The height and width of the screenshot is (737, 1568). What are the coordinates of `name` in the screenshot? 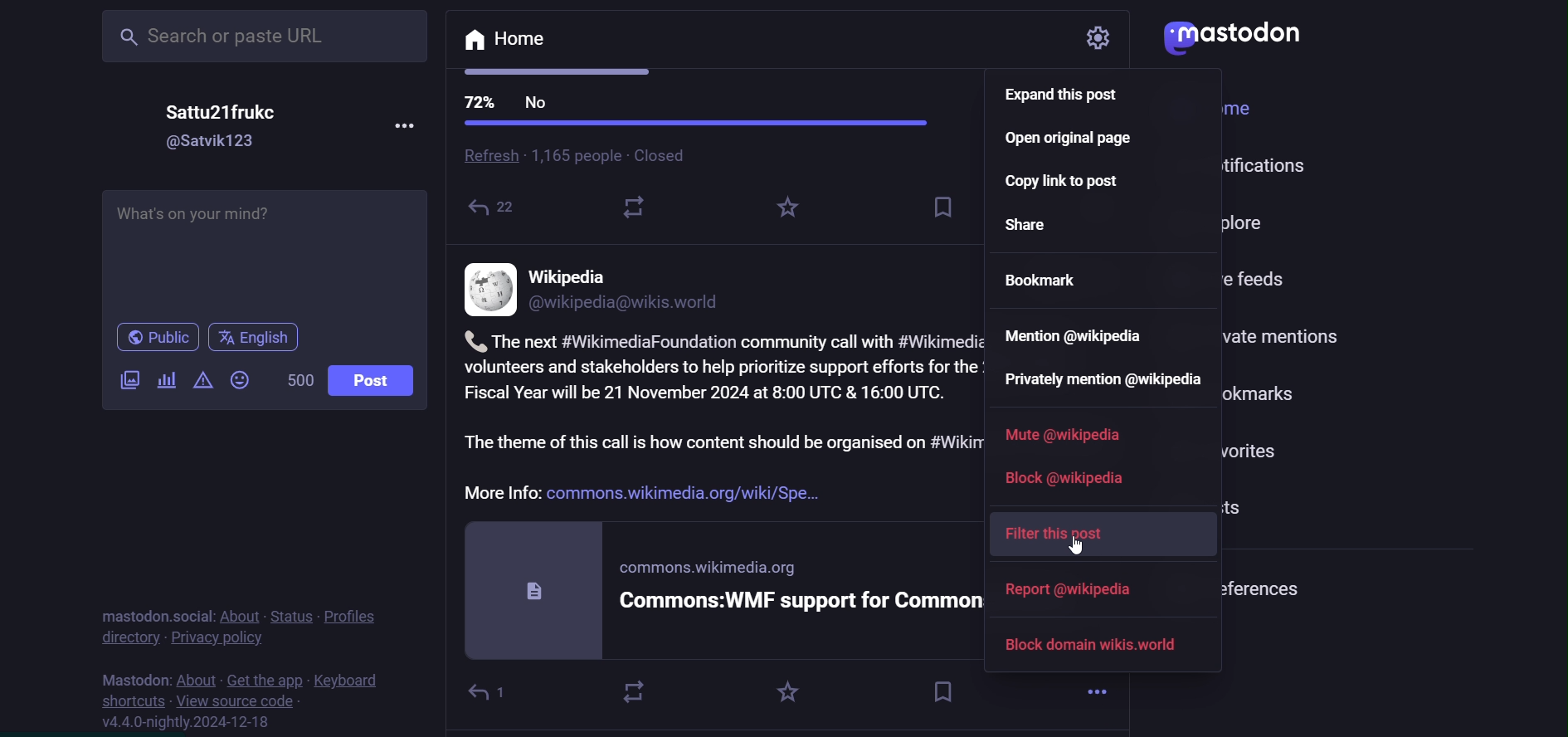 It's located at (572, 276).